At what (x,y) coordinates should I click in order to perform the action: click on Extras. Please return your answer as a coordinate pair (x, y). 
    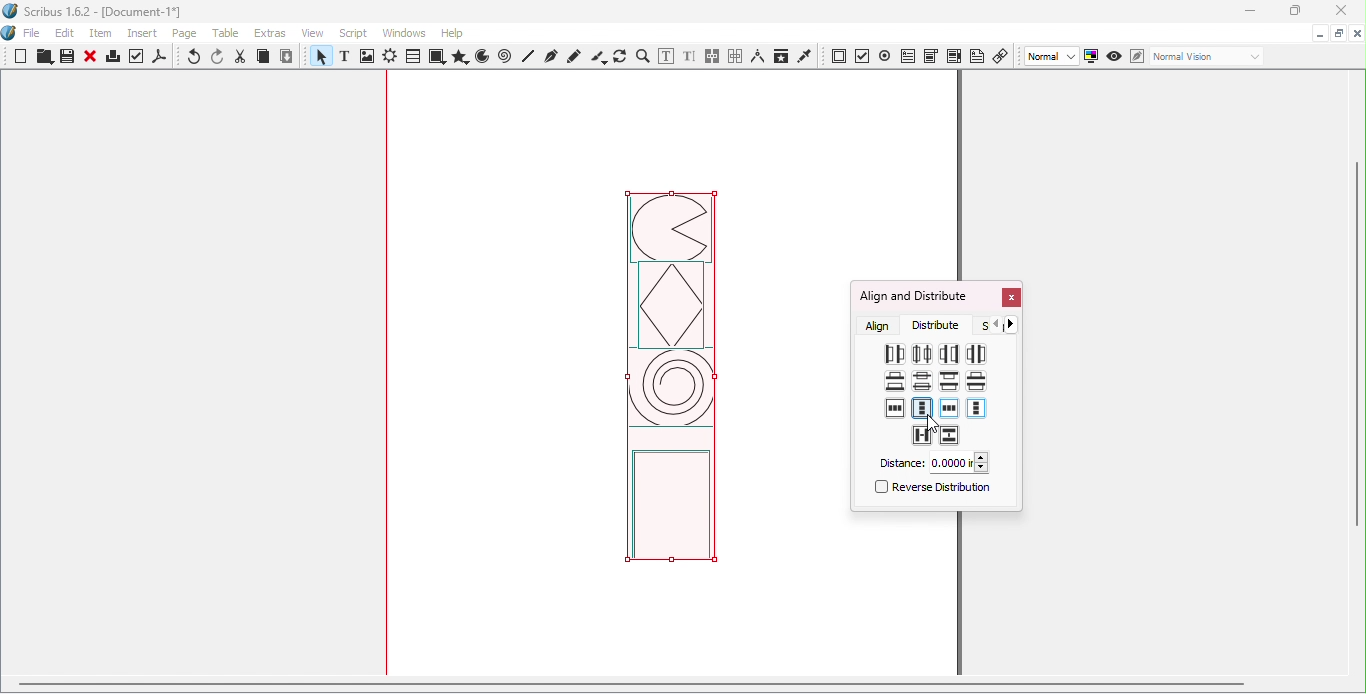
    Looking at the image, I should click on (273, 33).